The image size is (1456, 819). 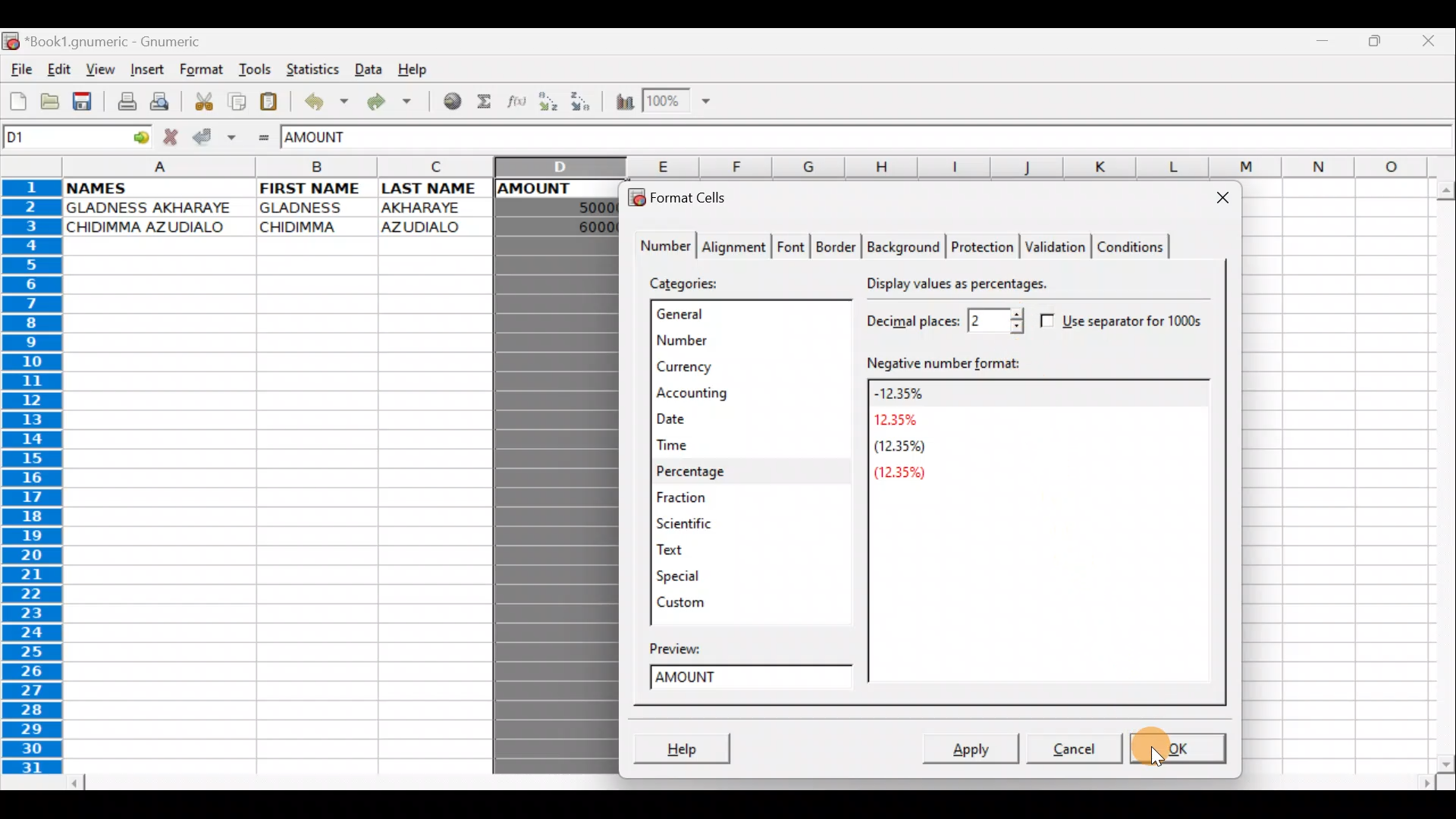 I want to click on Rows, so click(x=38, y=480).